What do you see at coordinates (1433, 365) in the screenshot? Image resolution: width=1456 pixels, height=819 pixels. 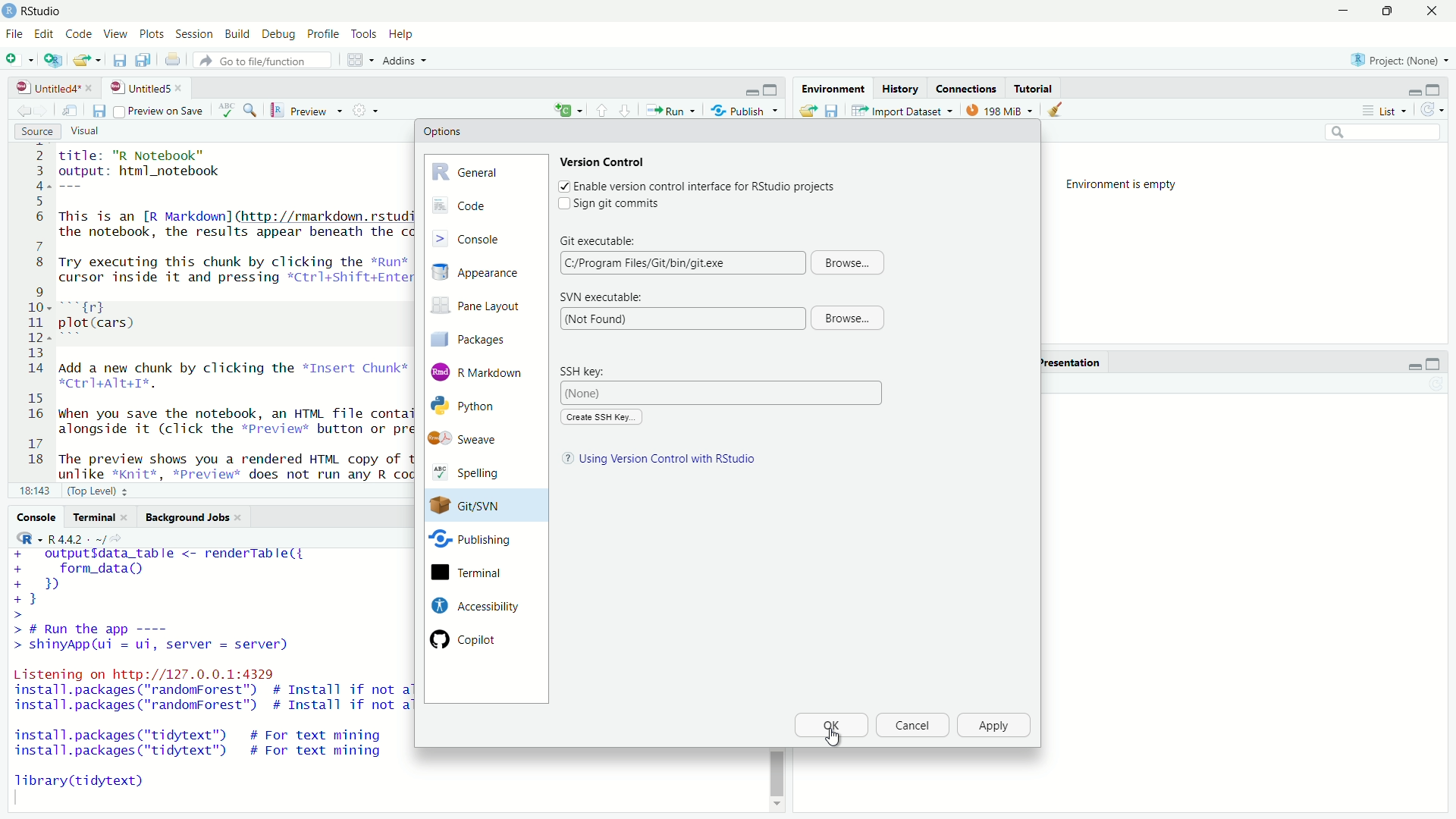 I see `maximize` at bounding box center [1433, 365].